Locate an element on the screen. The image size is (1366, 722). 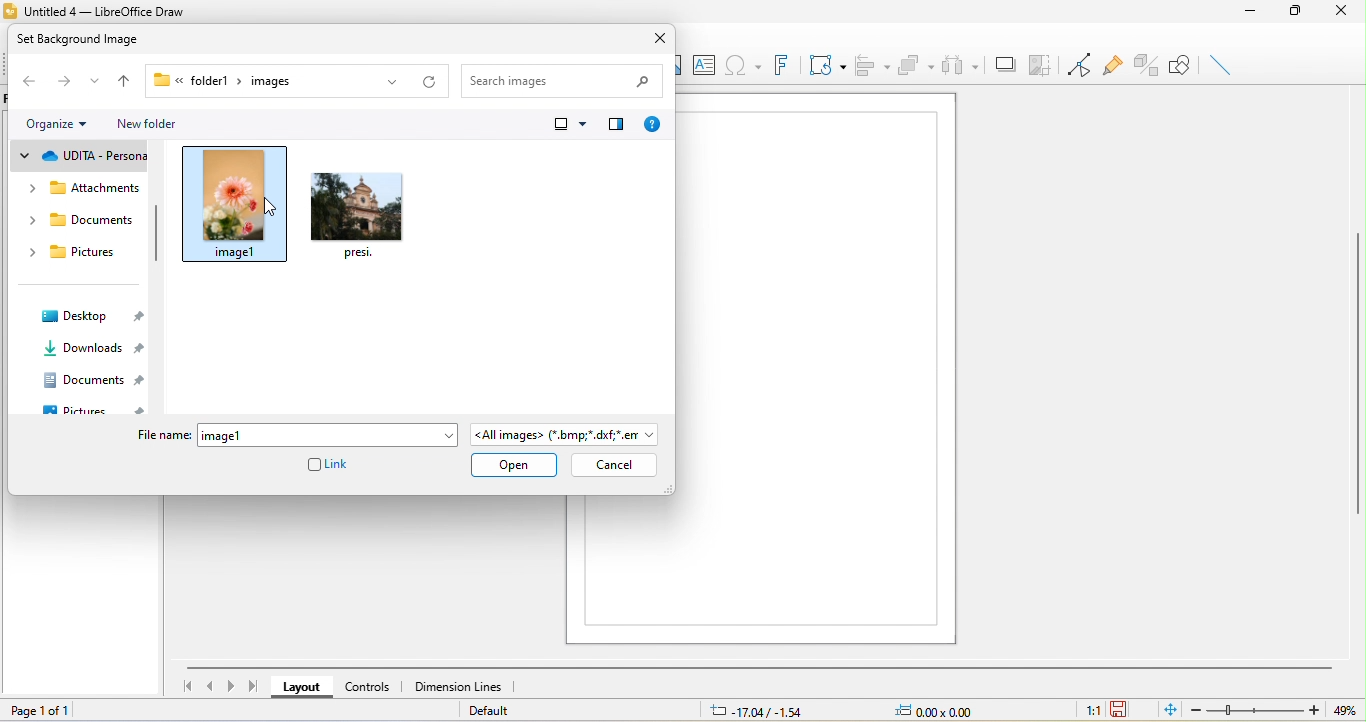
change your view is located at coordinates (566, 126).